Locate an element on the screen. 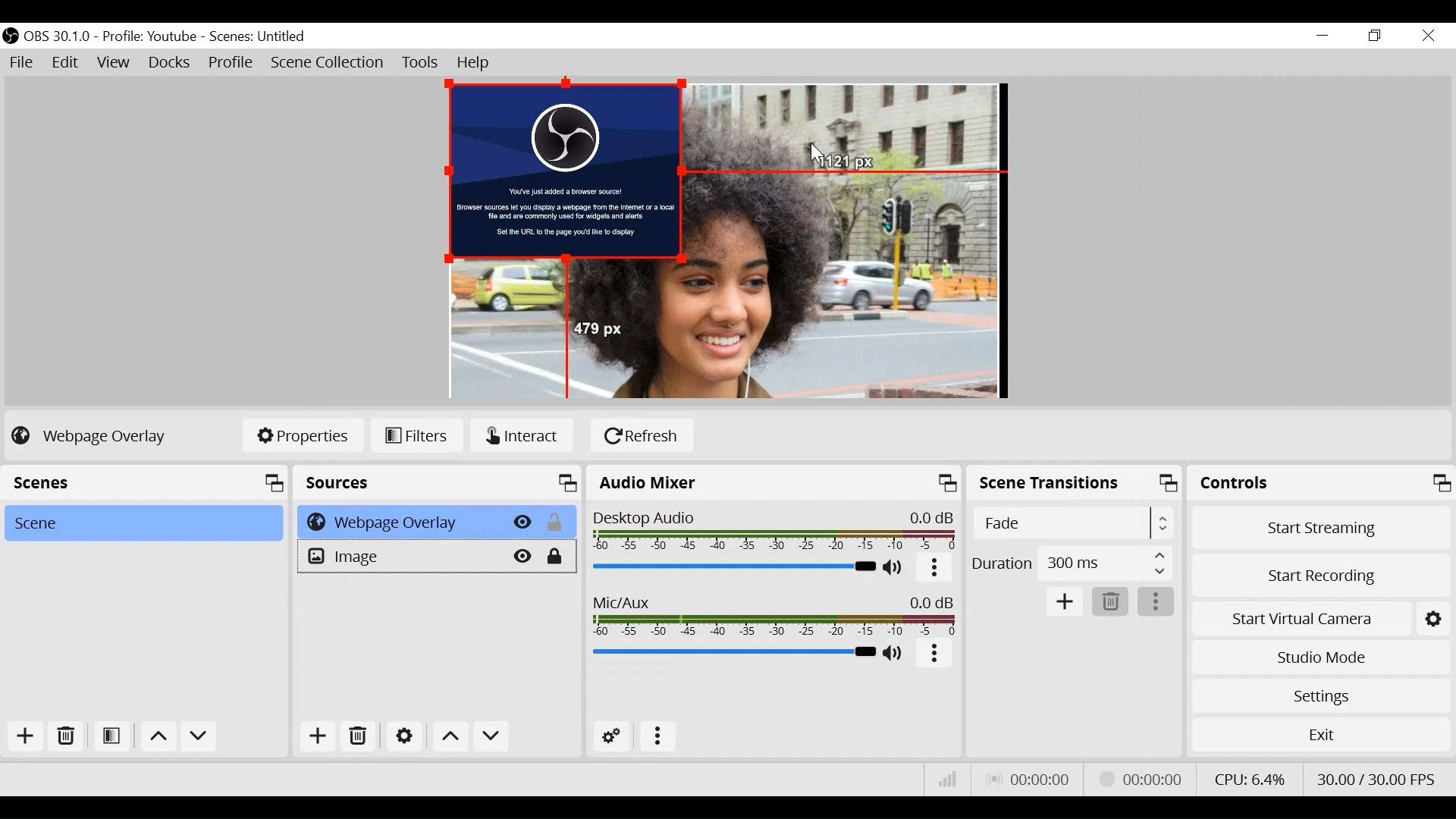 The width and height of the screenshot is (1456, 819). Delete is located at coordinates (68, 738).